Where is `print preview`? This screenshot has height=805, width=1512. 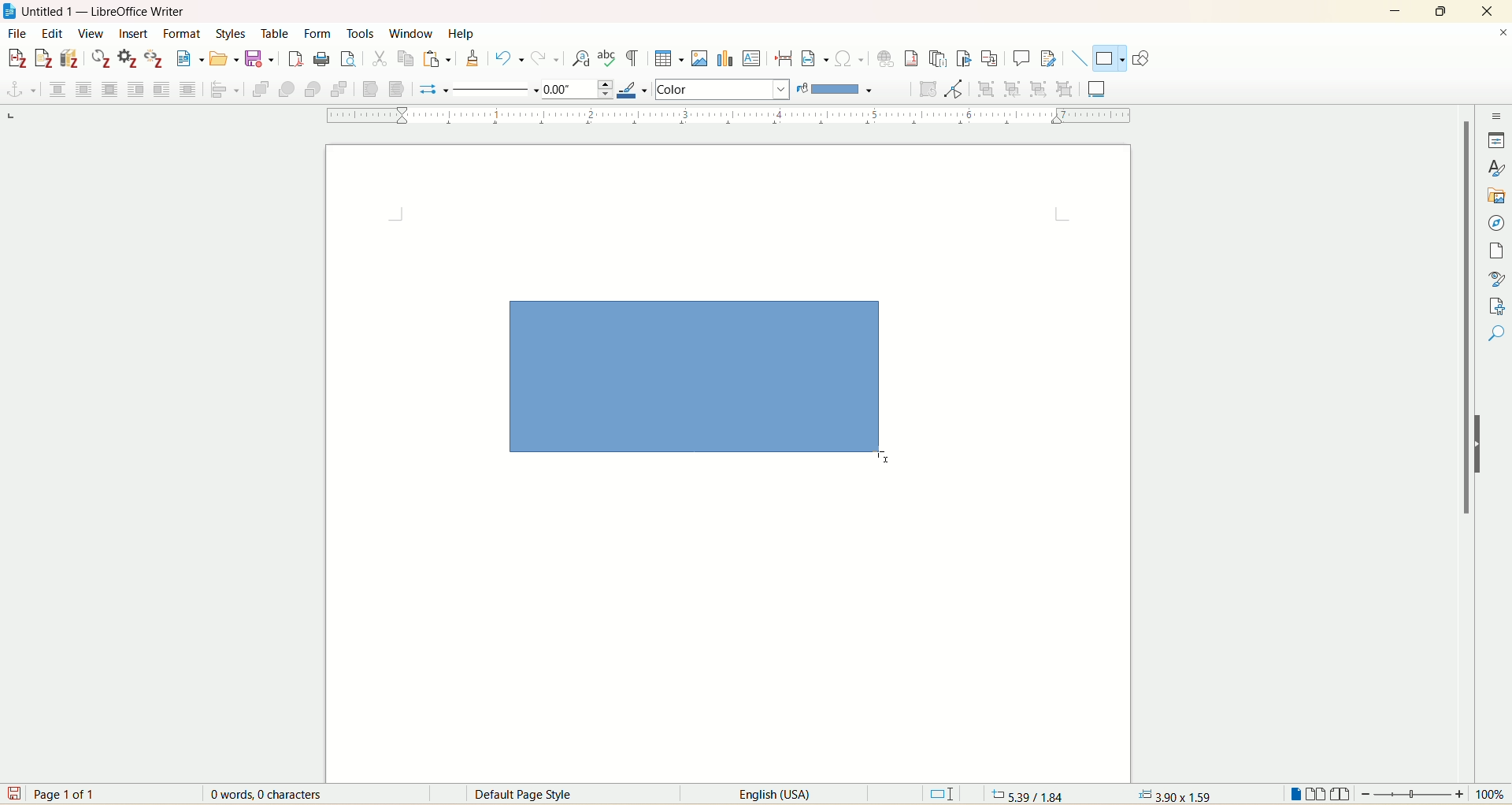 print preview is located at coordinates (349, 58).